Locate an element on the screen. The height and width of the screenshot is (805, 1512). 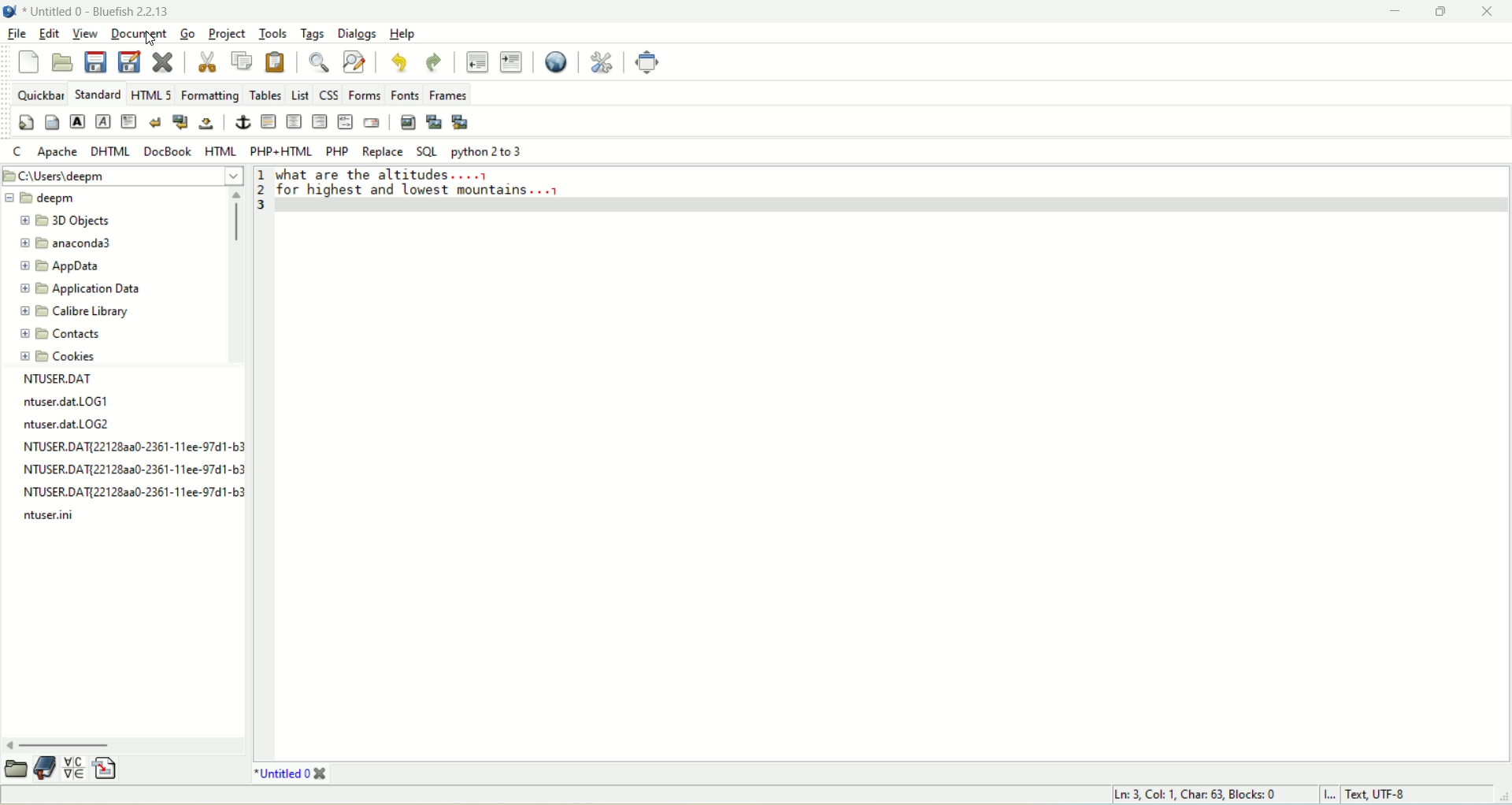
minimize is located at coordinates (1392, 13).